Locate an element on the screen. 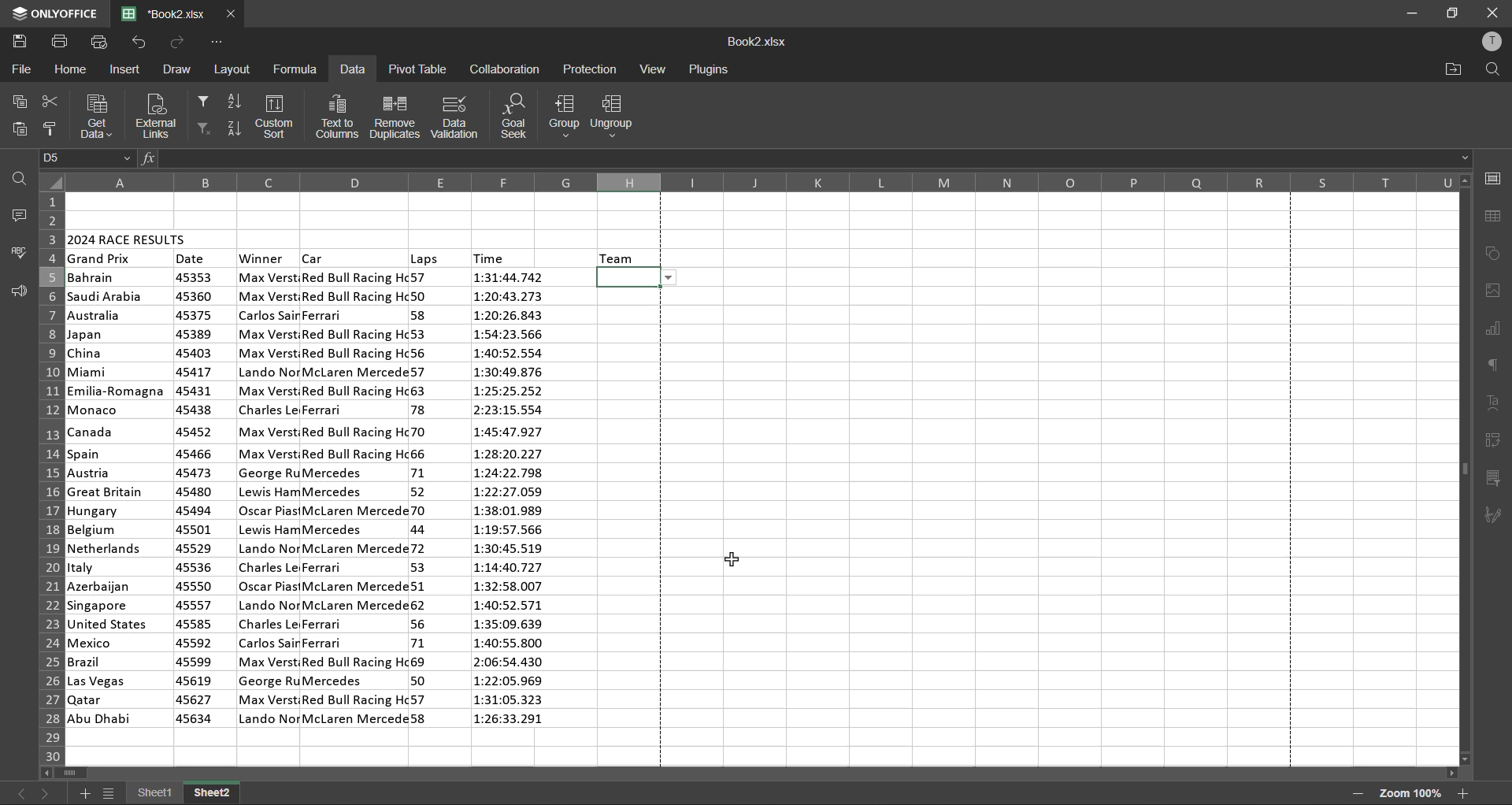 This screenshot has height=805, width=1512. remove duplicates is located at coordinates (395, 117).